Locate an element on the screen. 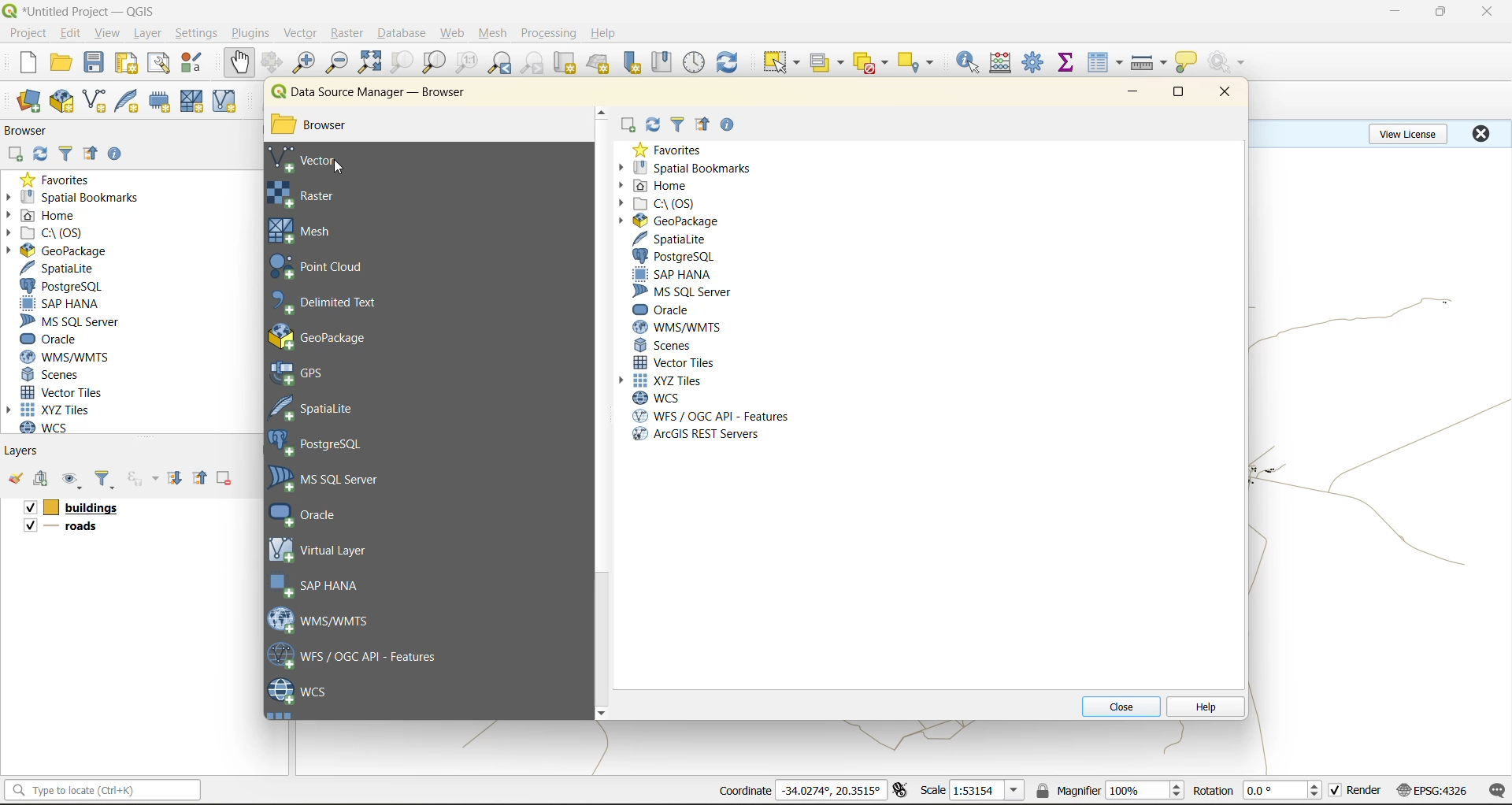  postgresql is located at coordinates (676, 255).